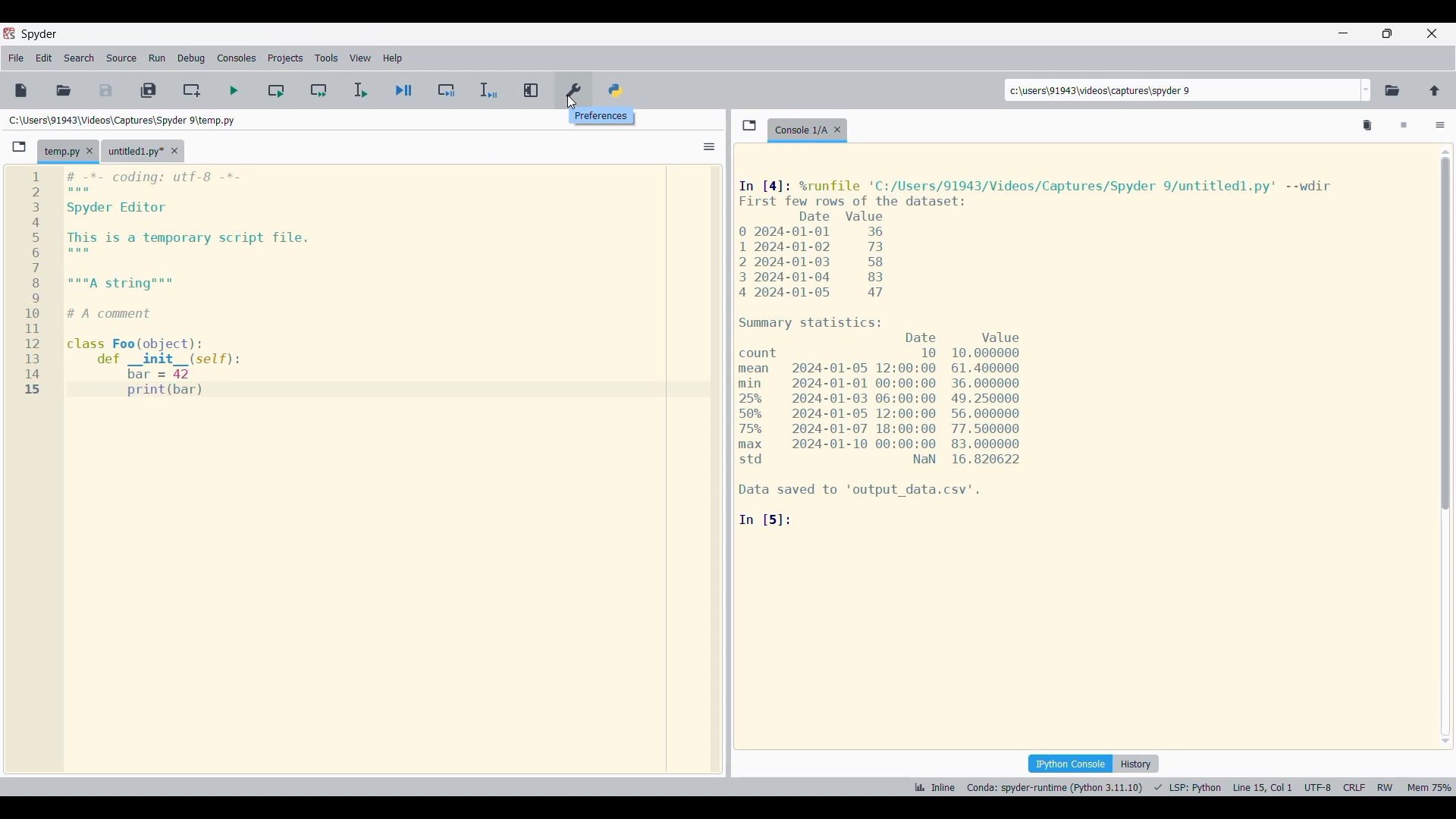 The height and width of the screenshot is (819, 1456). Describe the element at coordinates (601, 116) in the screenshot. I see `Descriptions of current selection` at that location.